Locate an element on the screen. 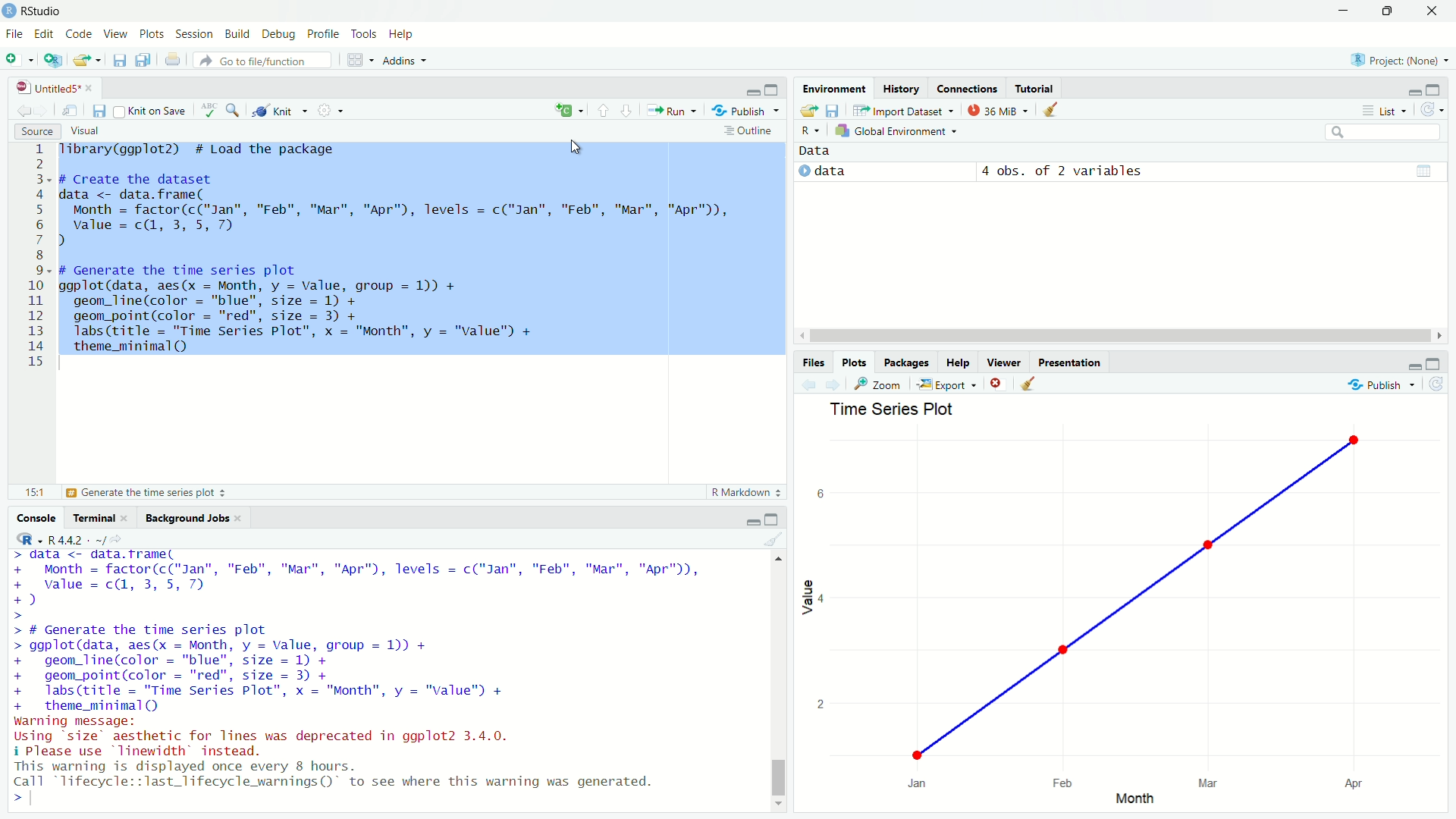  view the current working directory is located at coordinates (118, 538).